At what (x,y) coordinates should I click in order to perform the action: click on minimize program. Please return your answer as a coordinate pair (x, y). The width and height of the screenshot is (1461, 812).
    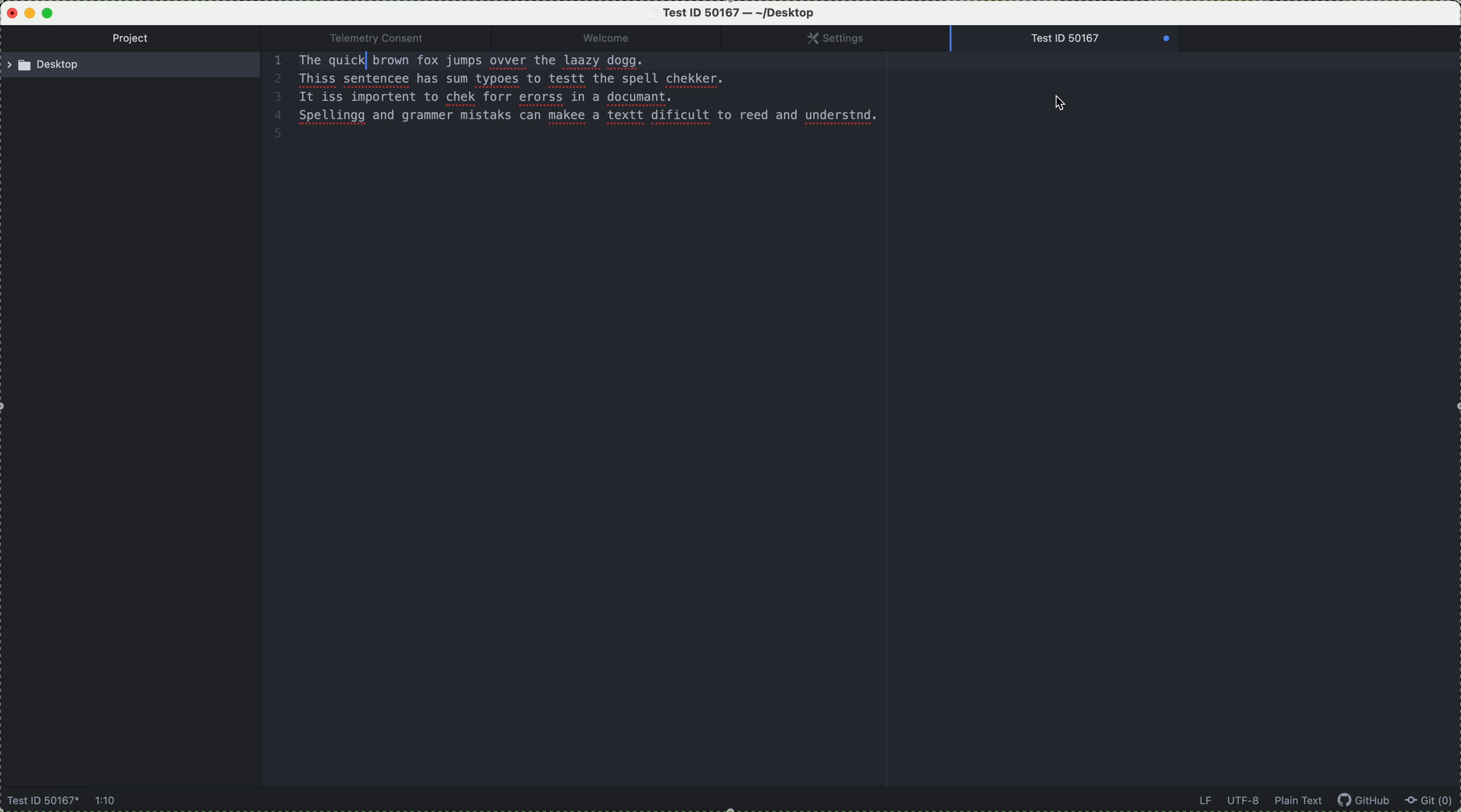
    Looking at the image, I should click on (30, 14).